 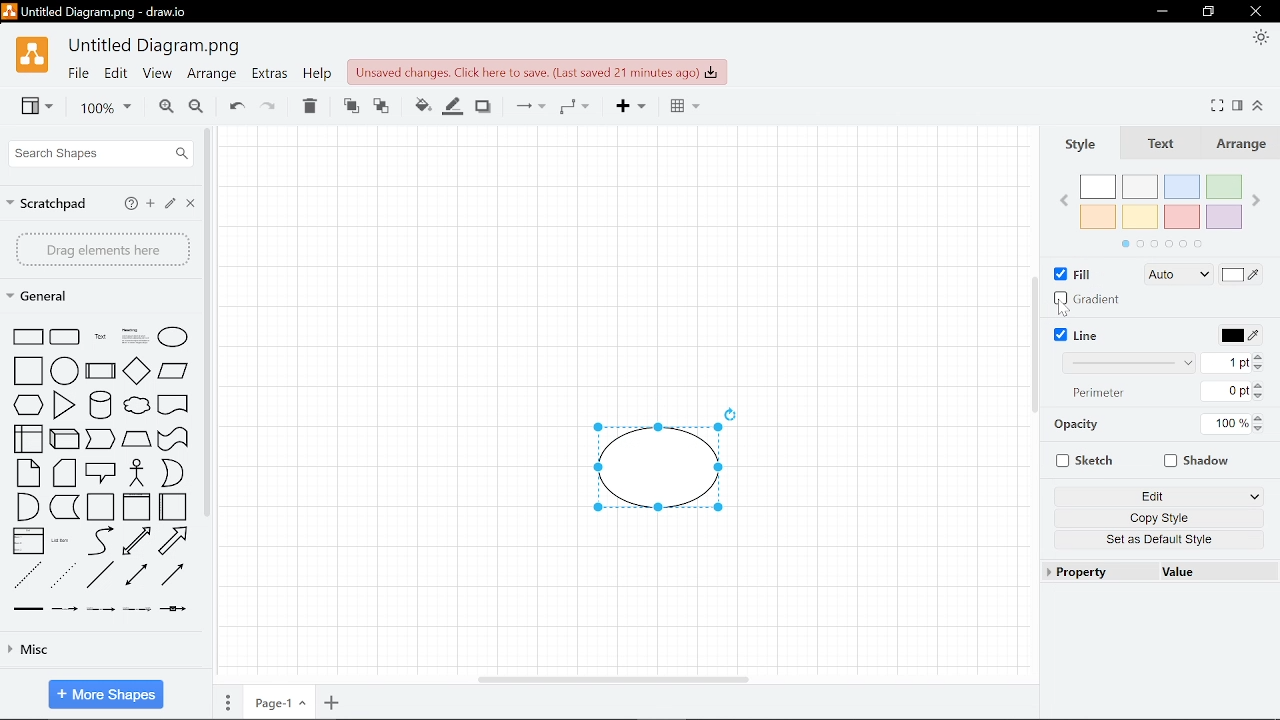 I want to click on To front, so click(x=348, y=104).